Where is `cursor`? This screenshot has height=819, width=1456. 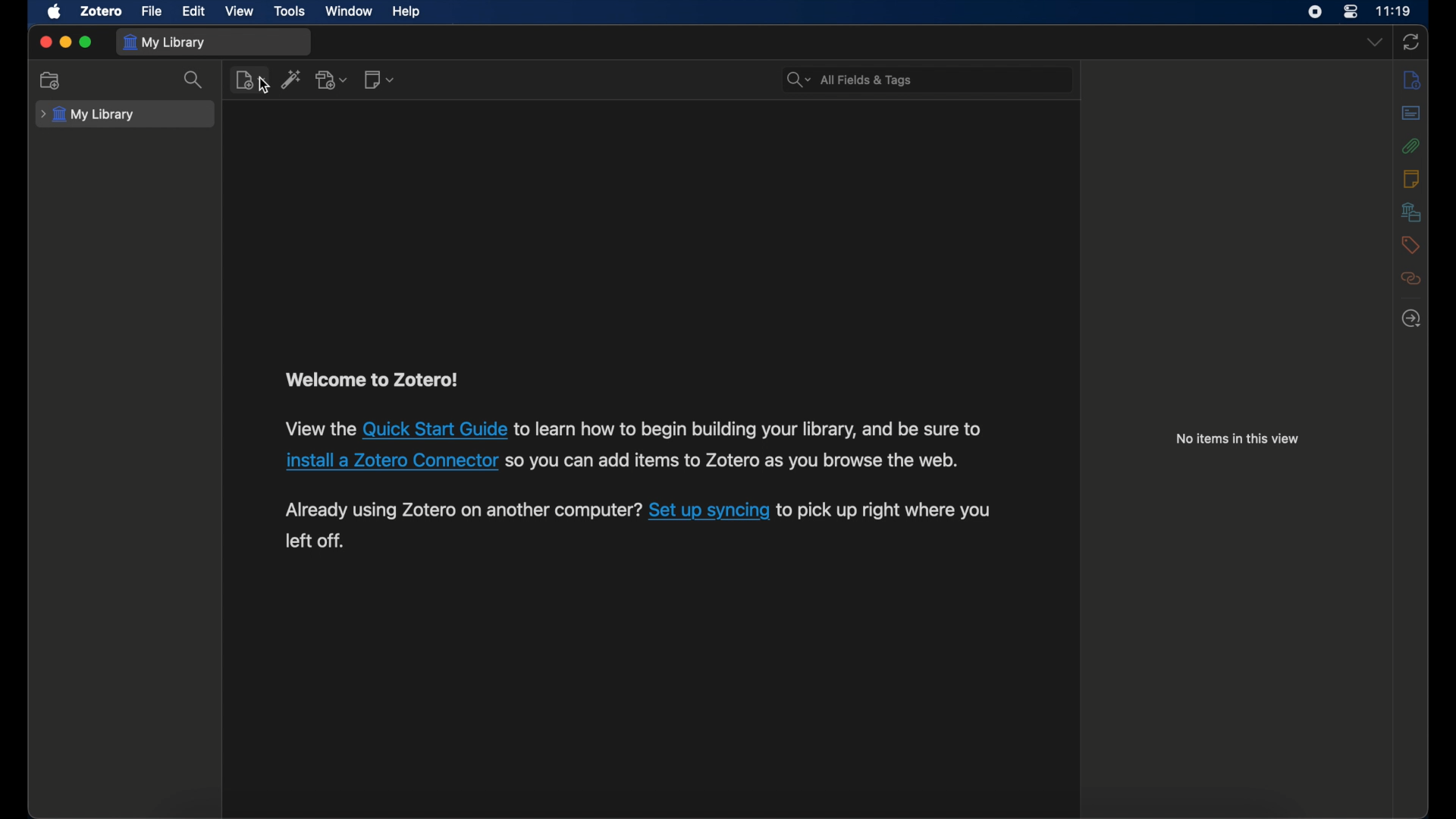 cursor is located at coordinates (265, 86).